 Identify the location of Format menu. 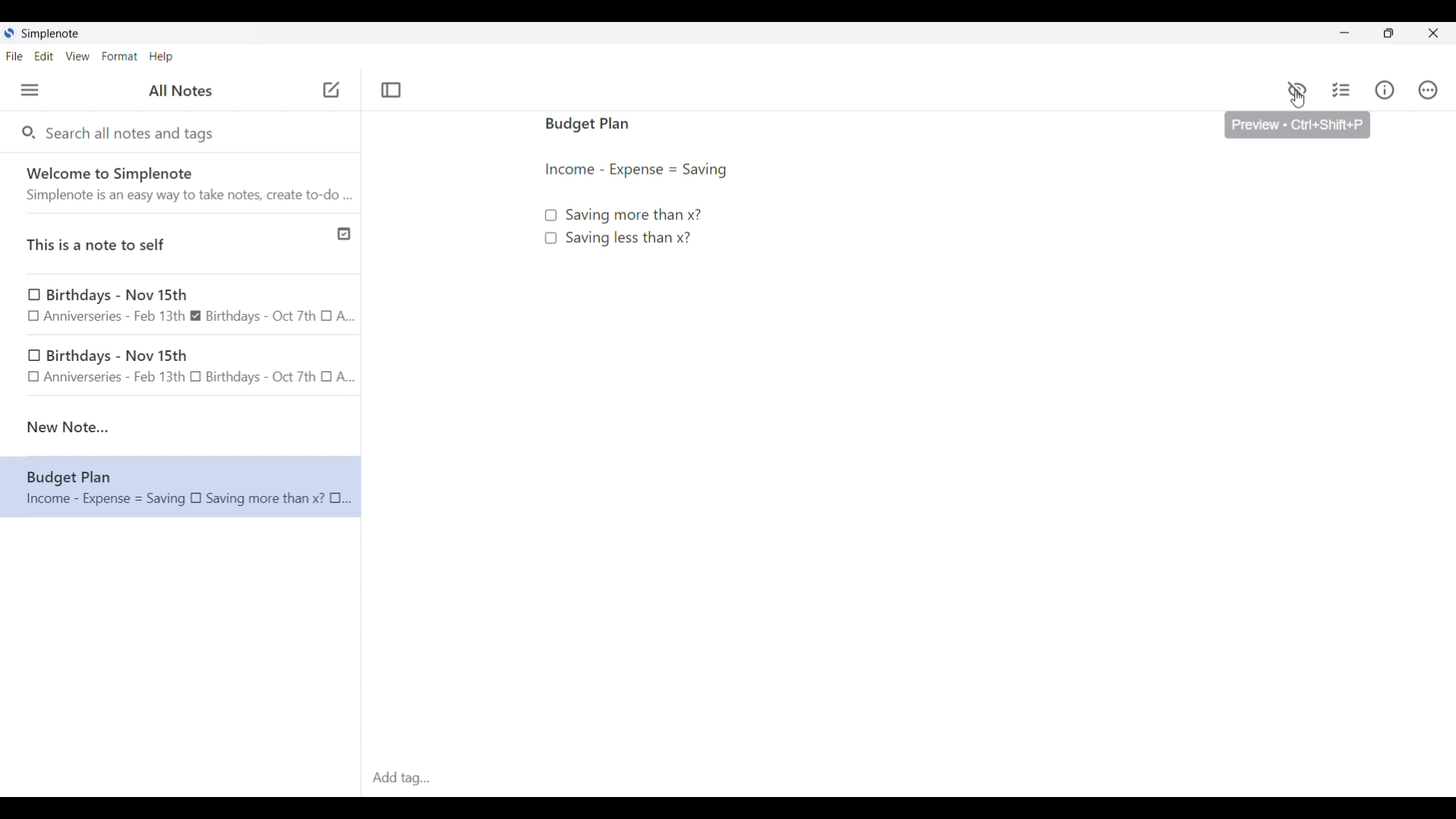
(120, 56).